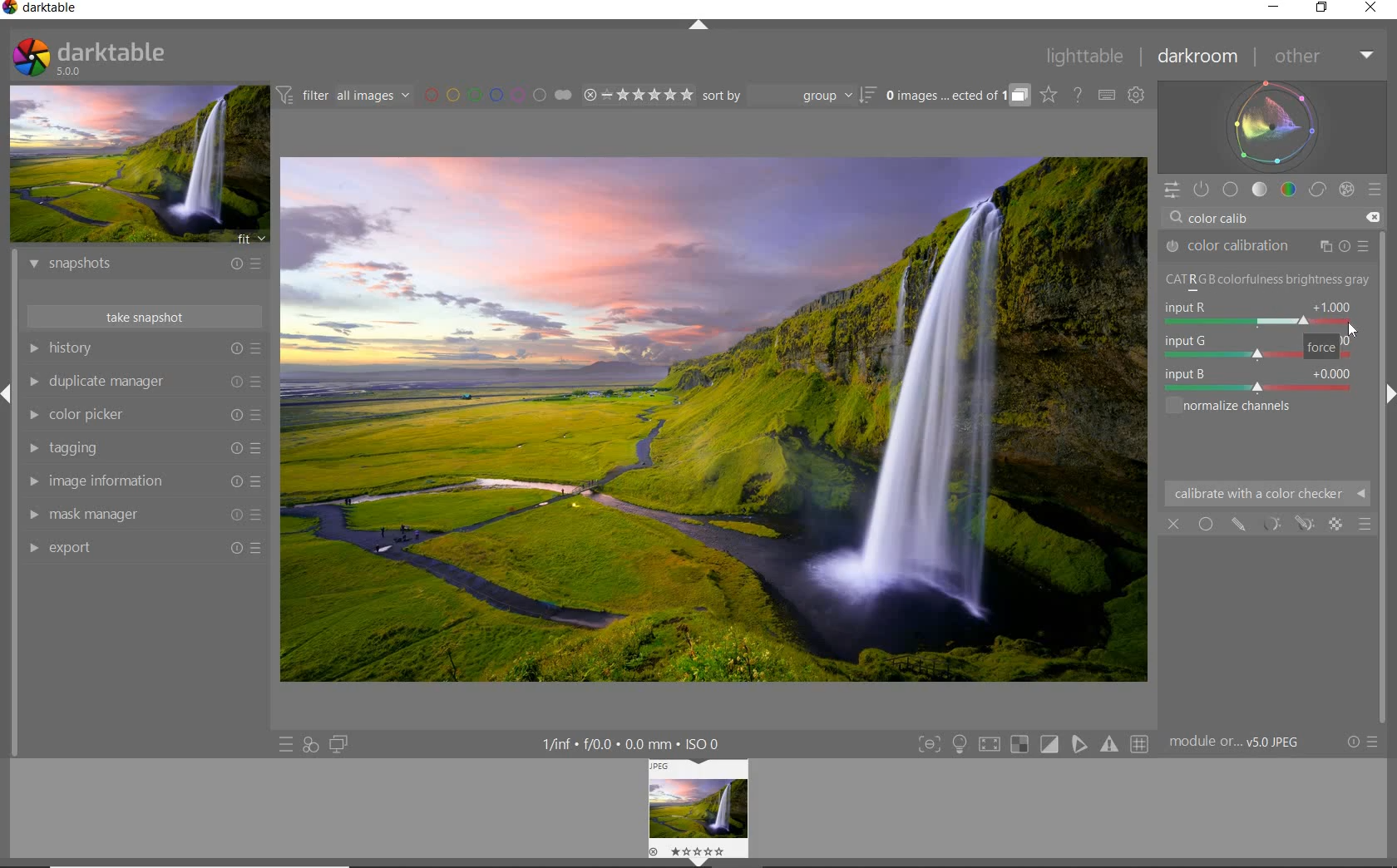 The image size is (1397, 868). What do you see at coordinates (339, 744) in the screenshot?
I see `DISPLAY A SECOND DARKROOM IMAGE WINDOW` at bounding box center [339, 744].